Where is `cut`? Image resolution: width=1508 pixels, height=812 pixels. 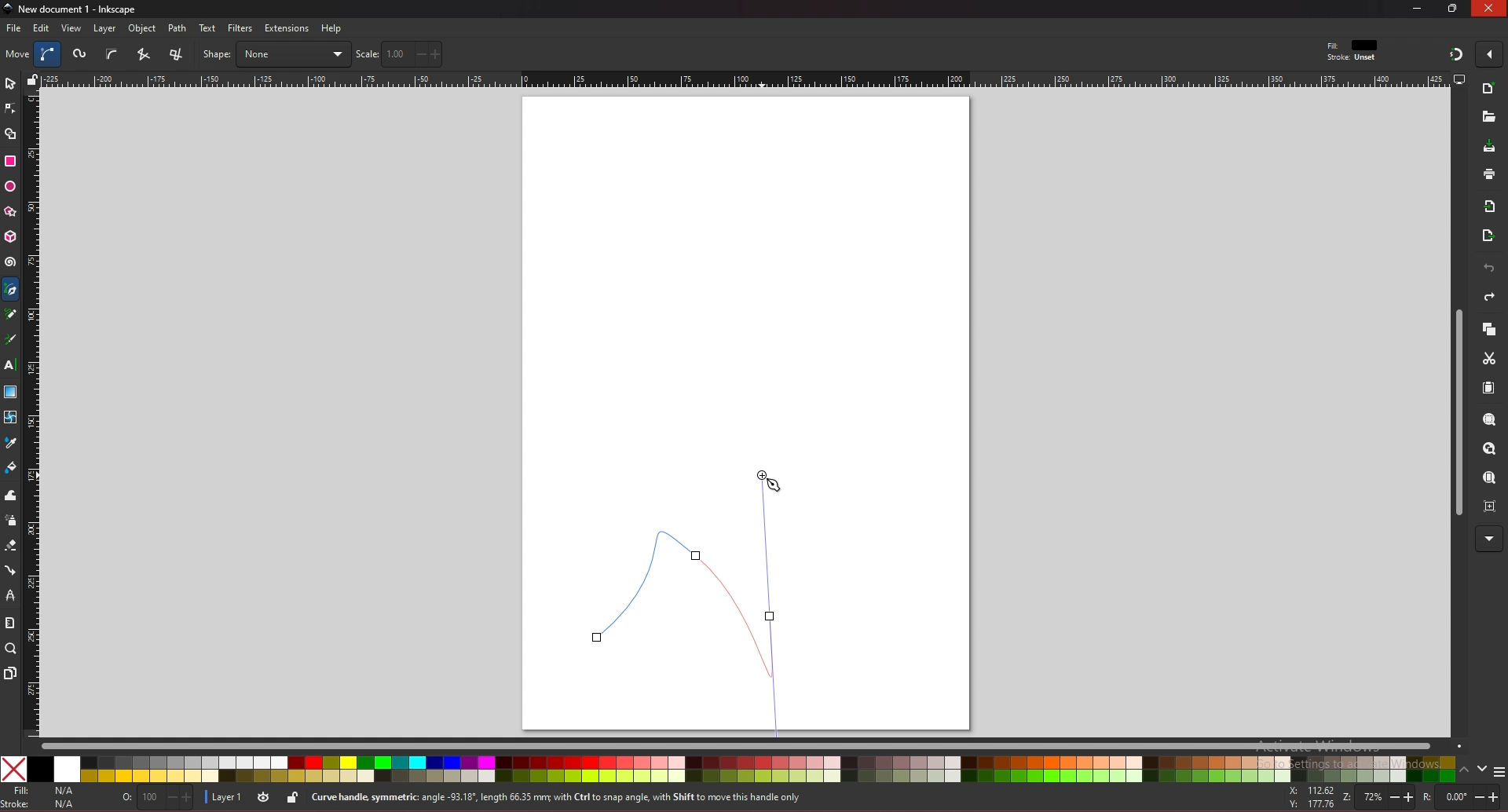 cut is located at coordinates (1489, 359).